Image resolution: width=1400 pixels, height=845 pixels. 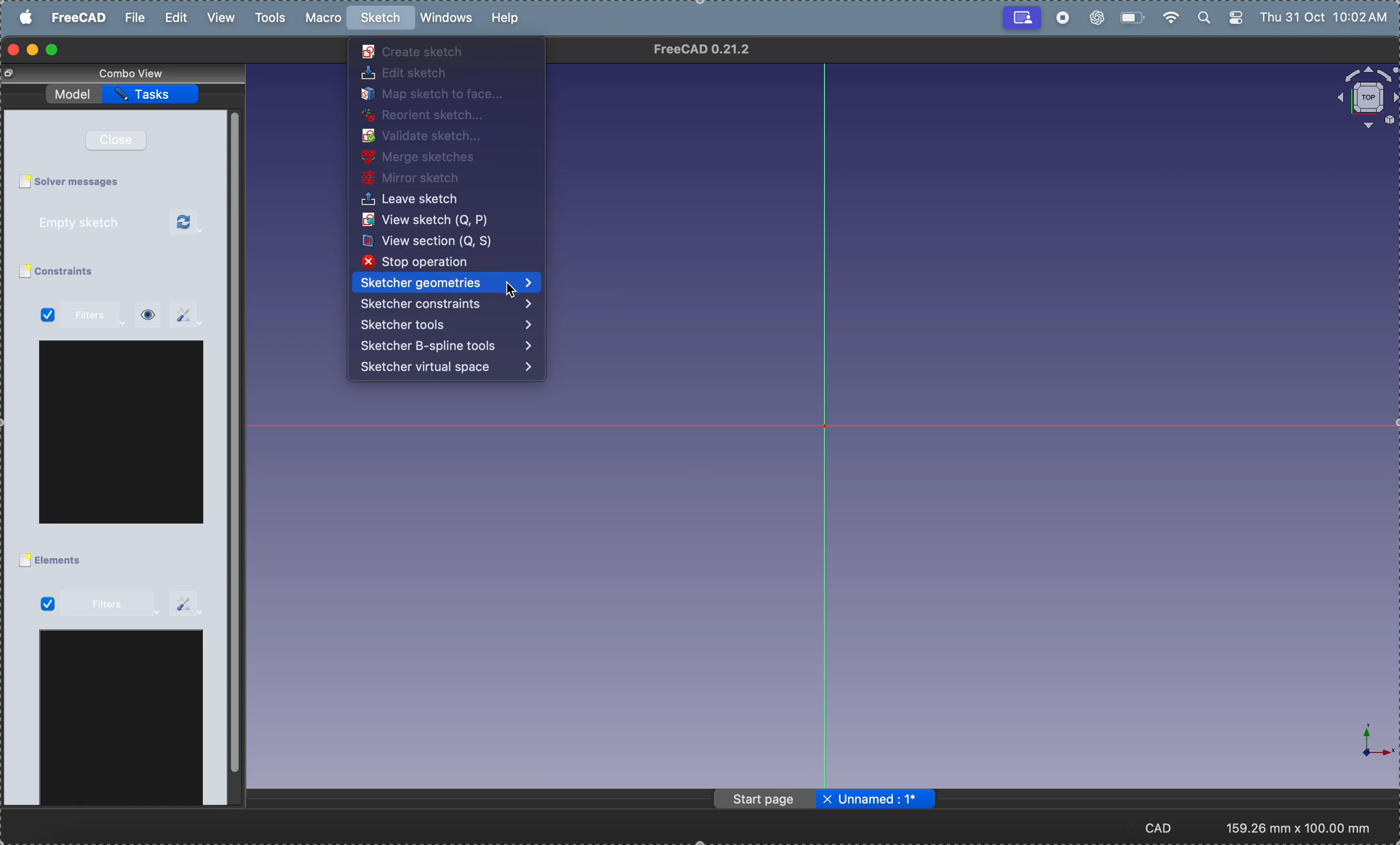 I want to click on Unnamed: 1*, so click(x=880, y=799).